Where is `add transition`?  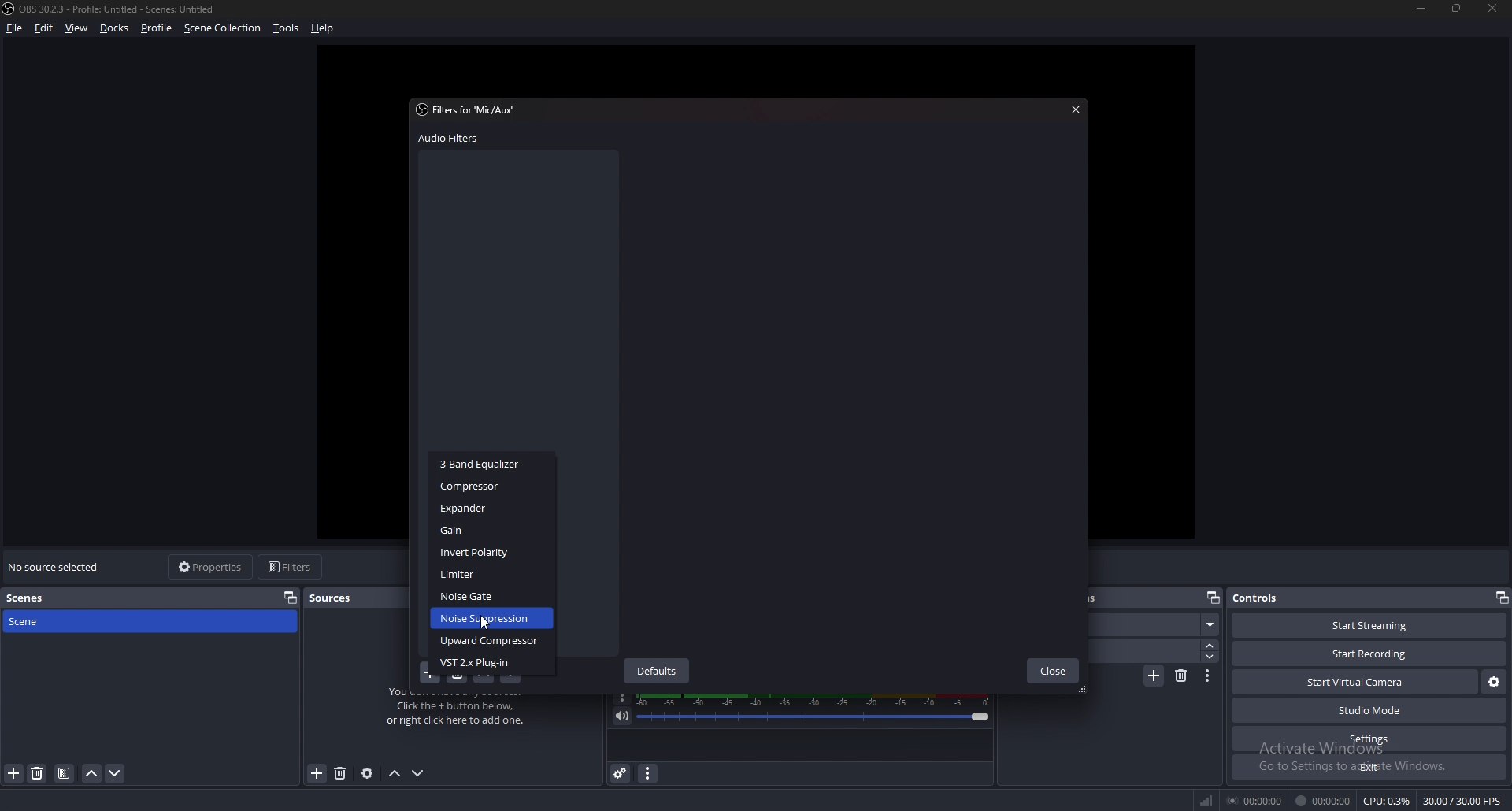 add transition is located at coordinates (1152, 677).